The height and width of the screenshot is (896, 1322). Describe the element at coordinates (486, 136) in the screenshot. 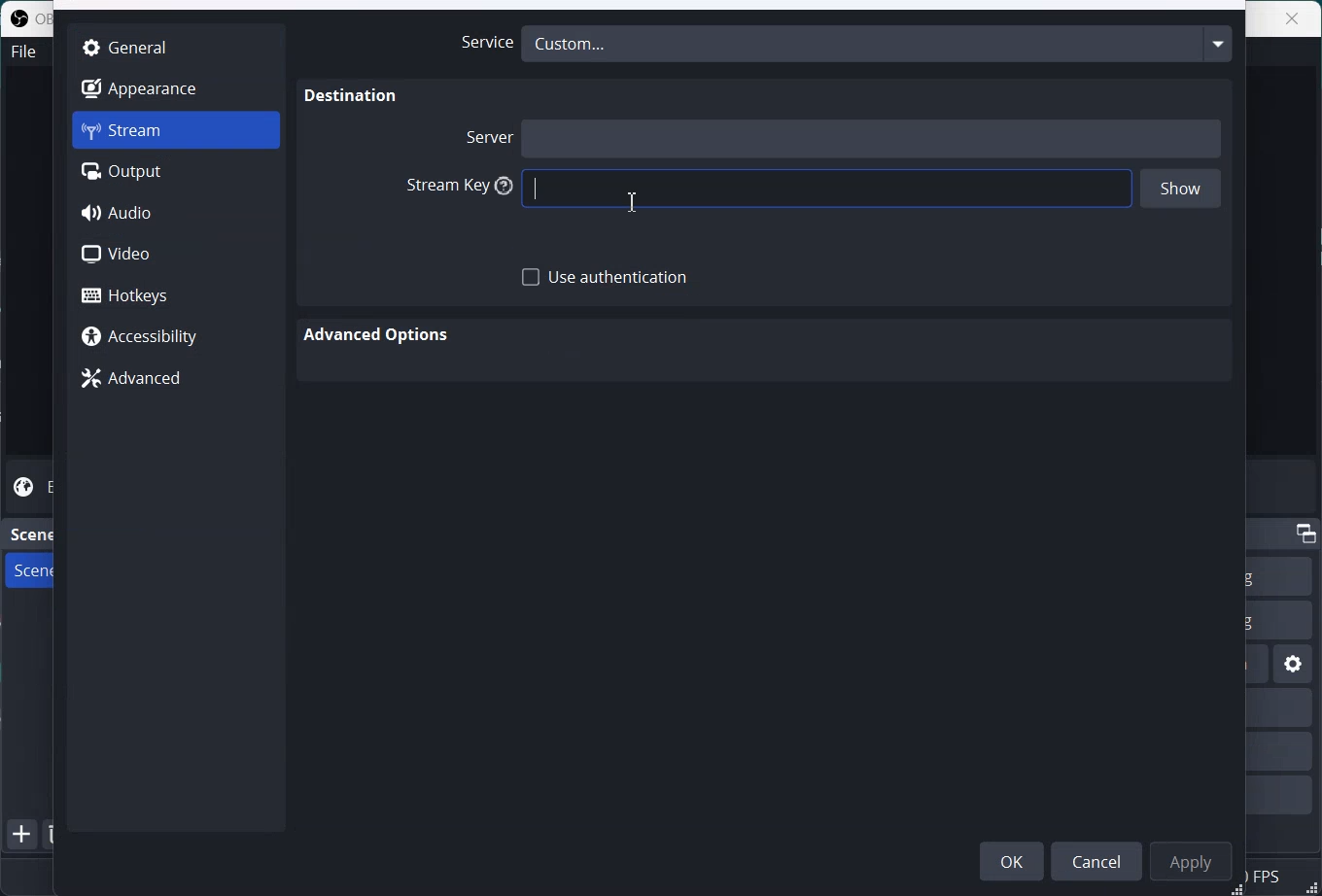

I see `Server` at that location.